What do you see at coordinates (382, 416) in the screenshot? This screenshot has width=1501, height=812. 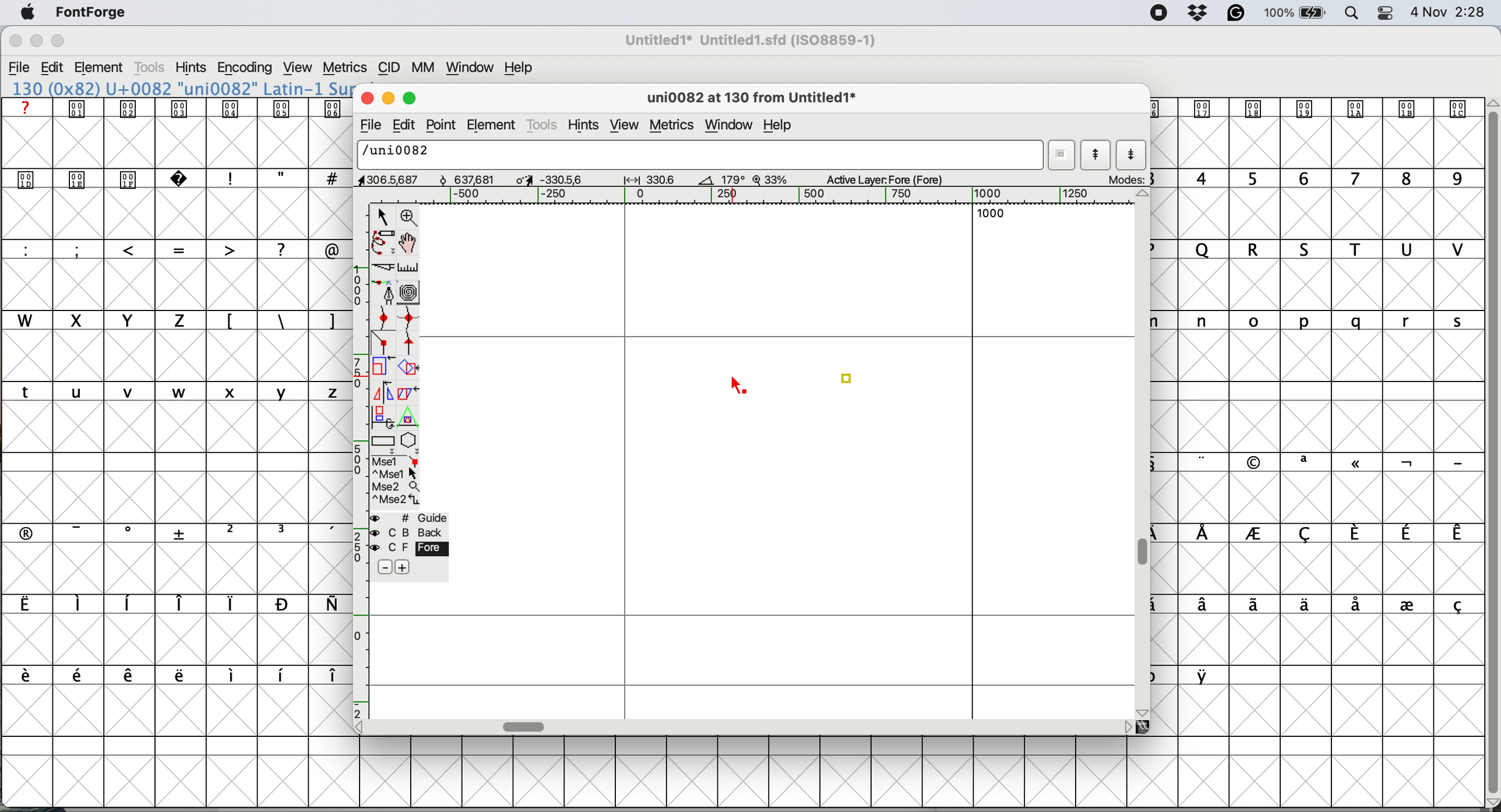 I see `rotate the selection in 3d and project back to plane` at bounding box center [382, 416].